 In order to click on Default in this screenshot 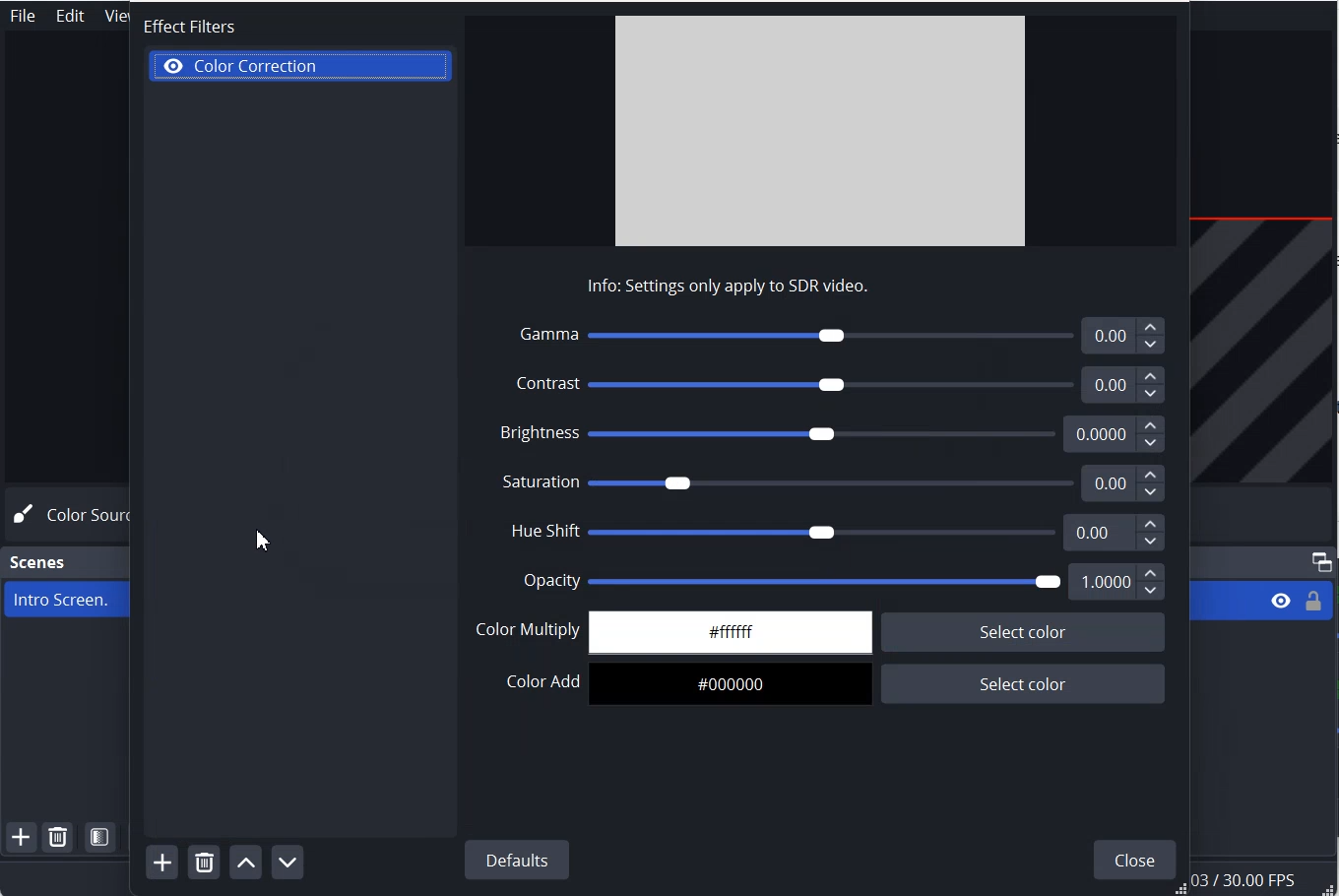, I will do `click(518, 860)`.